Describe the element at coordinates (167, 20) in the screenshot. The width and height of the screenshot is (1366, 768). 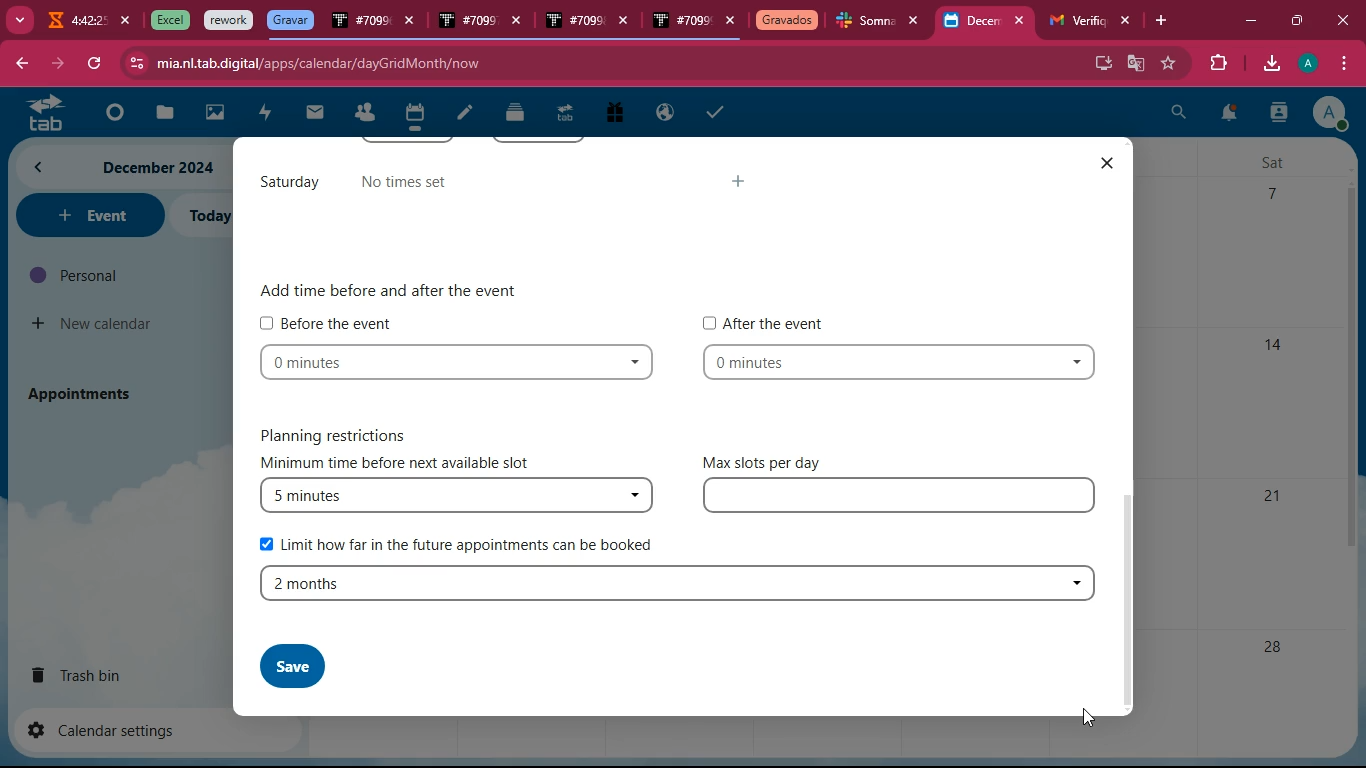
I see `tab` at that location.